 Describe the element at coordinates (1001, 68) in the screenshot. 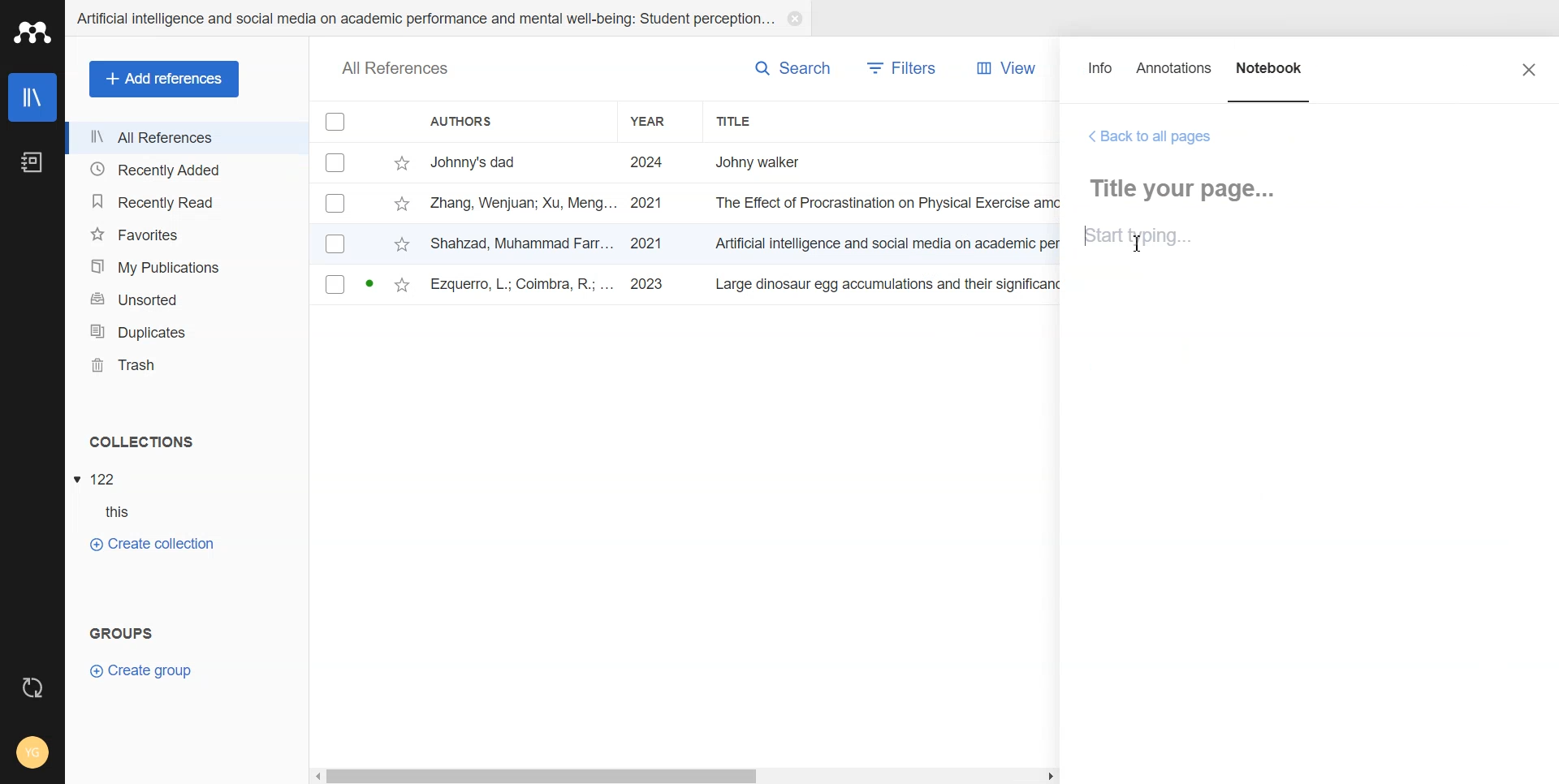

I see `View` at that location.